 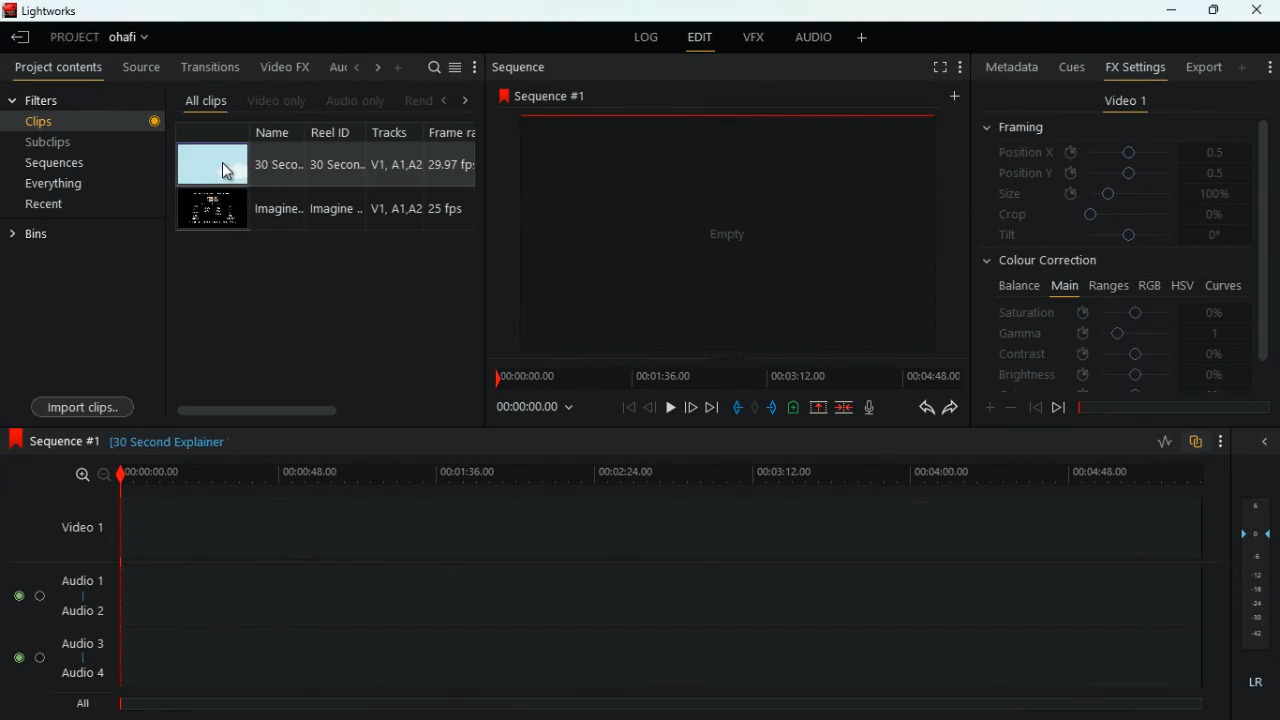 I want to click on screen, so click(x=211, y=210).